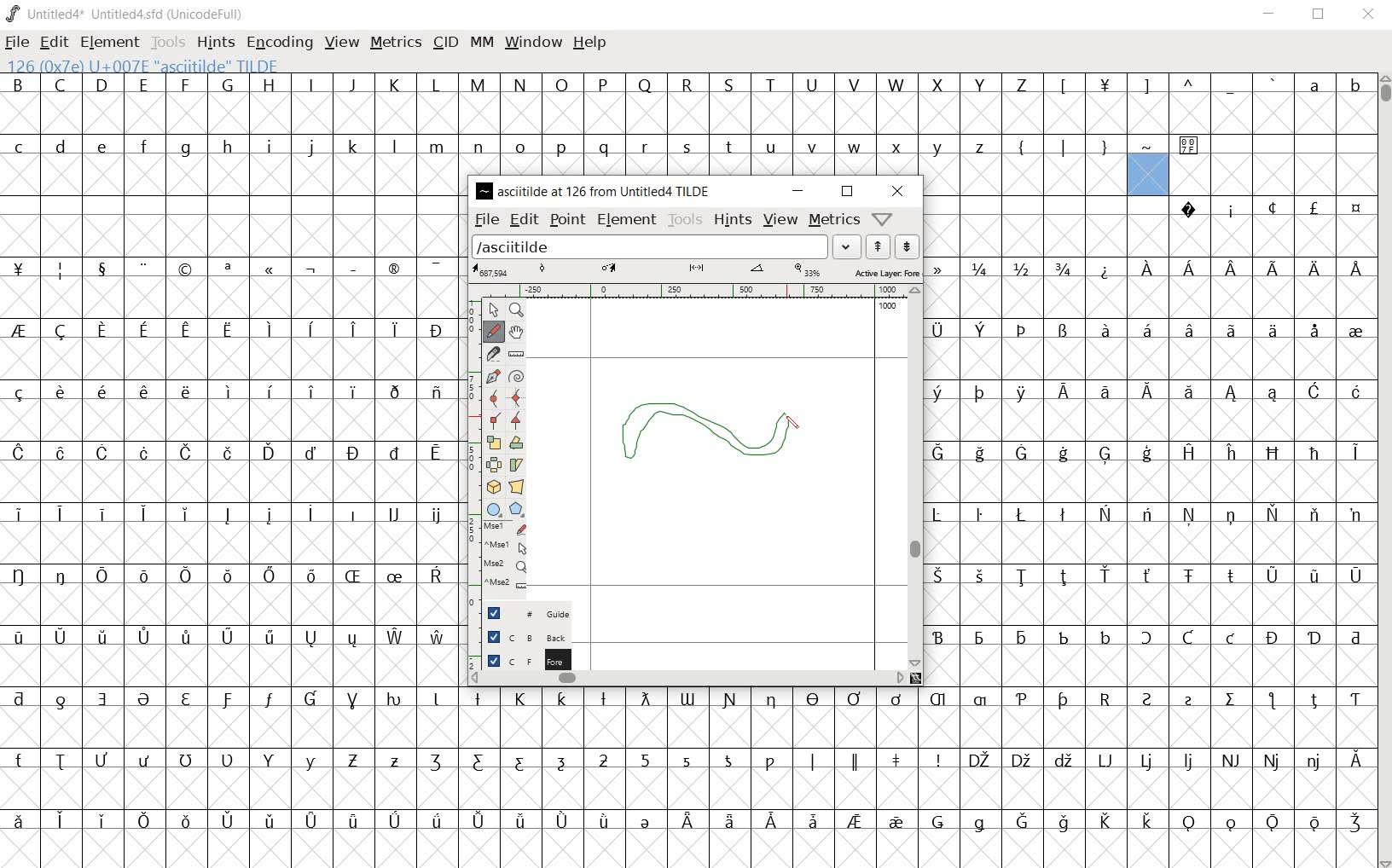 The image size is (1392, 868). Describe the element at coordinates (281, 42) in the screenshot. I see `ENCODING` at that location.